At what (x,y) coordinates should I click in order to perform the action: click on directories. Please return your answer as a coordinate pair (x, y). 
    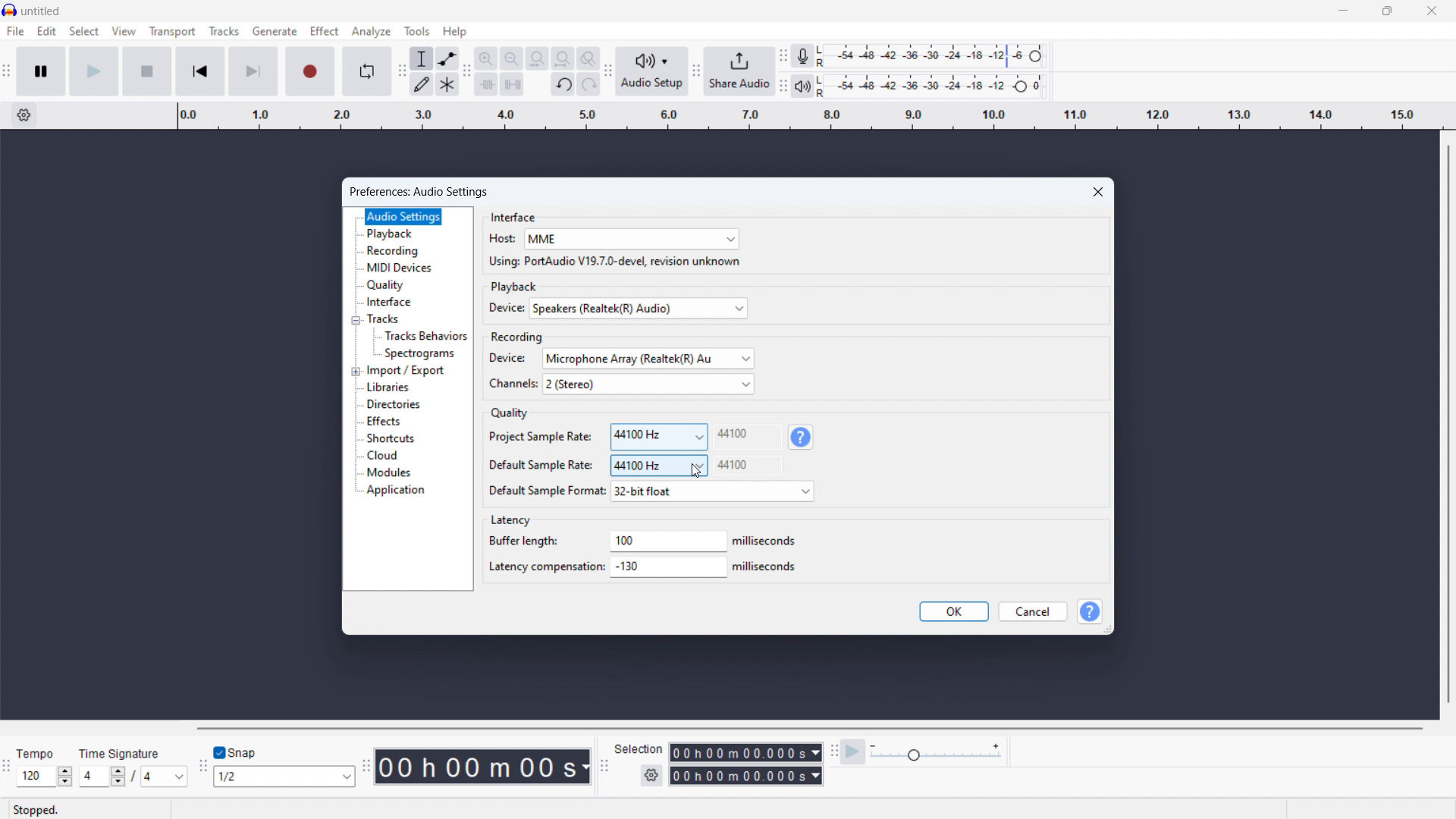
    Looking at the image, I should click on (394, 404).